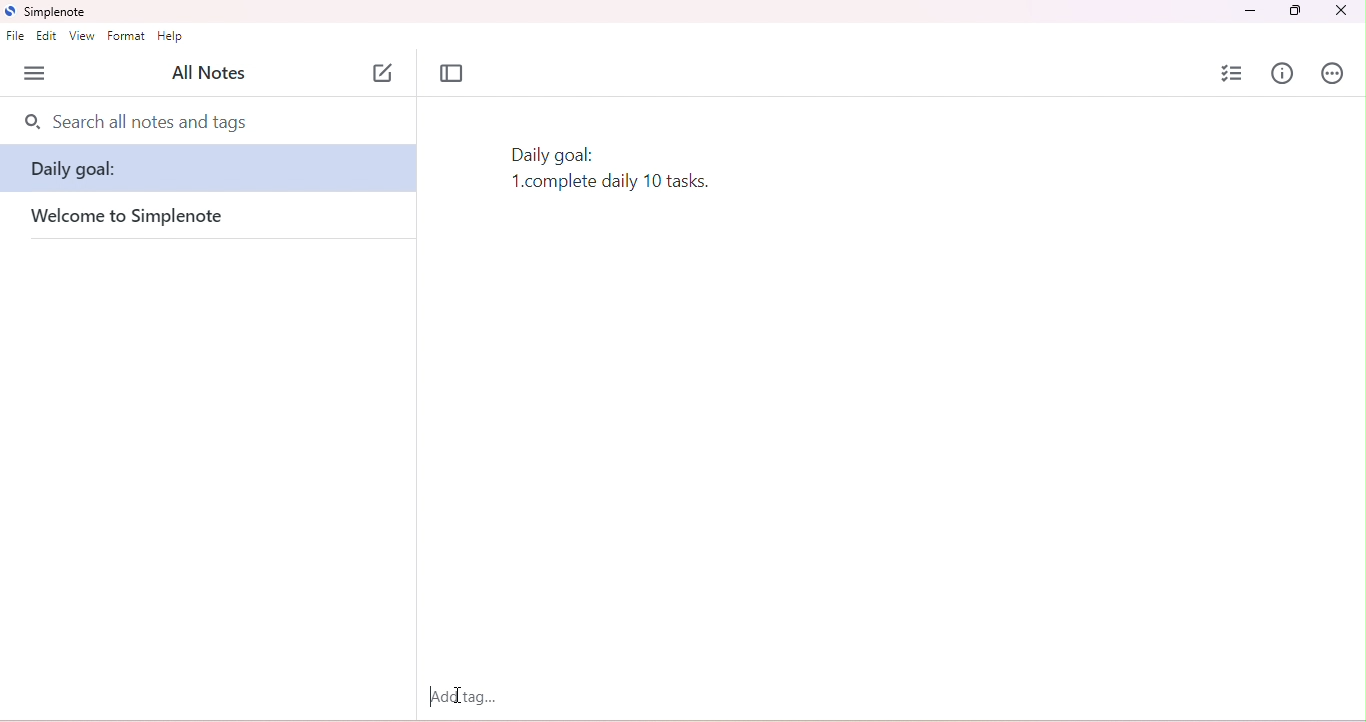  What do you see at coordinates (149, 122) in the screenshot?
I see `search all nots and tags` at bounding box center [149, 122].